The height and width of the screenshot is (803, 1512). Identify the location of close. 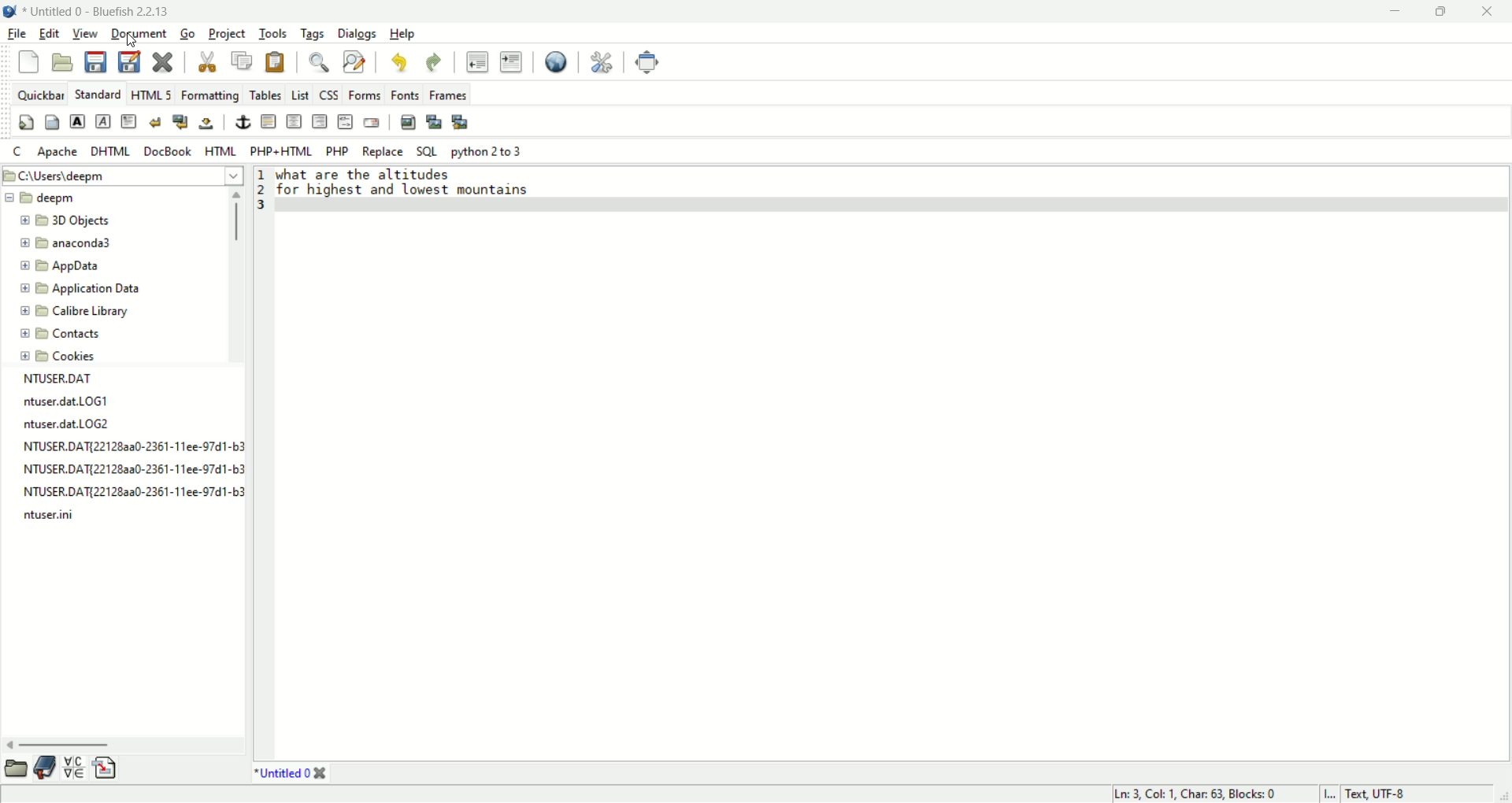
(165, 60).